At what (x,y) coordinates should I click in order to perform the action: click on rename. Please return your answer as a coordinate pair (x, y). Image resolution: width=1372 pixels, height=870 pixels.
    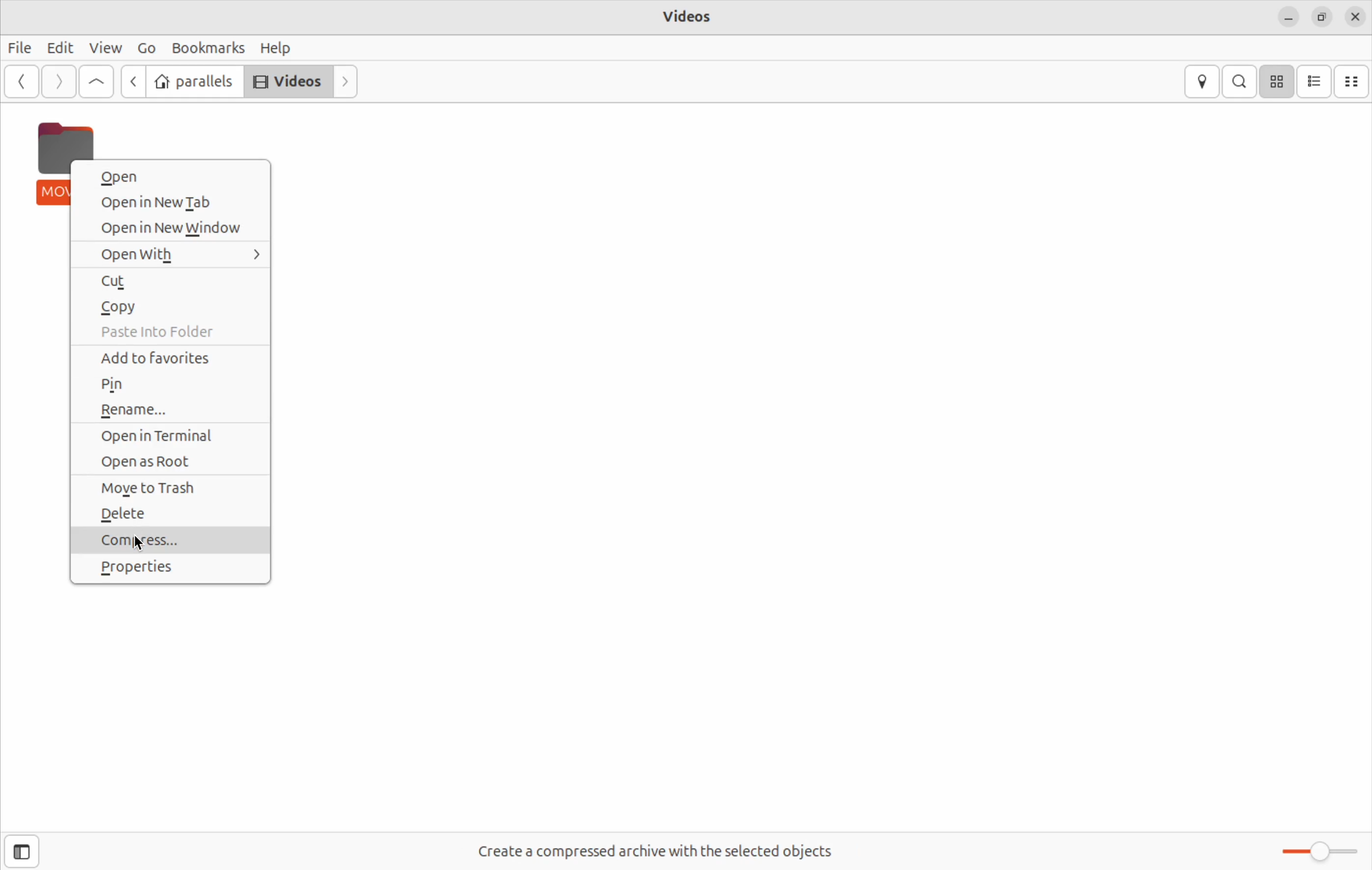
    Looking at the image, I should click on (168, 411).